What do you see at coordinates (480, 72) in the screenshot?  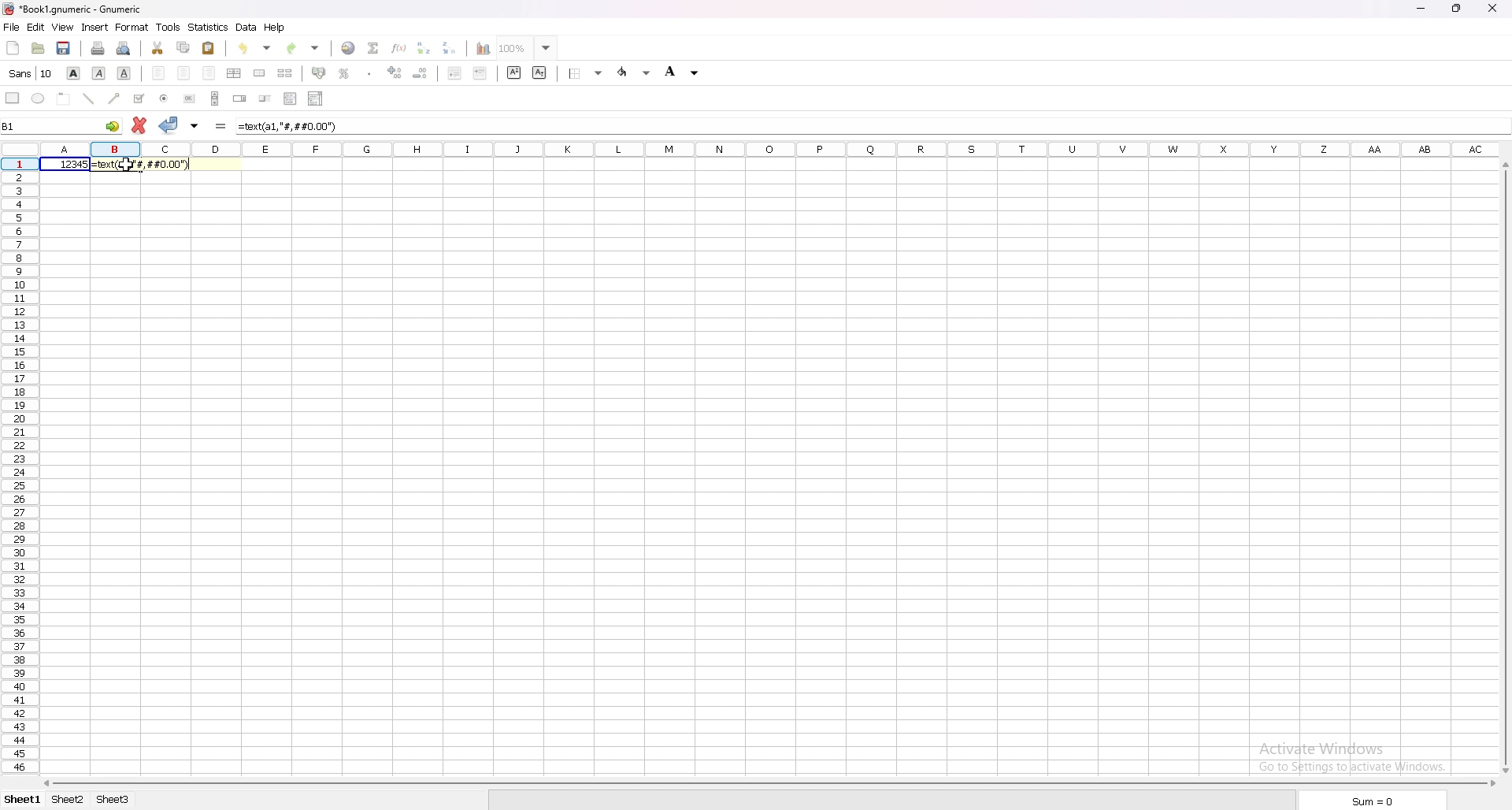 I see `increase indent` at bounding box center [480, 72].